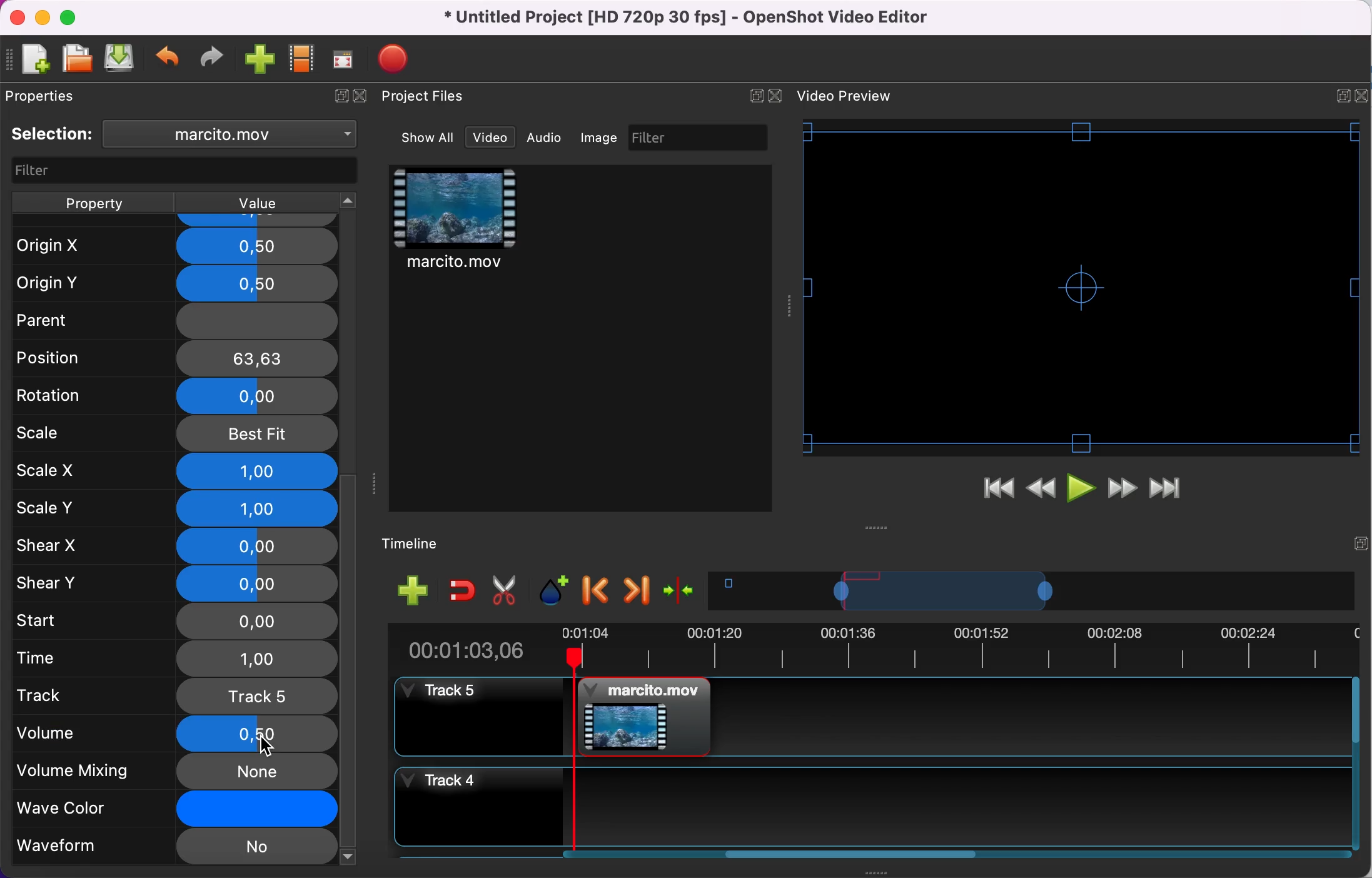 The height and width of the screenshot is (878, 1372). What do you see at coordinates (505, 591) in the screenshot?
I see `cut` at bounding box center [505, 591].